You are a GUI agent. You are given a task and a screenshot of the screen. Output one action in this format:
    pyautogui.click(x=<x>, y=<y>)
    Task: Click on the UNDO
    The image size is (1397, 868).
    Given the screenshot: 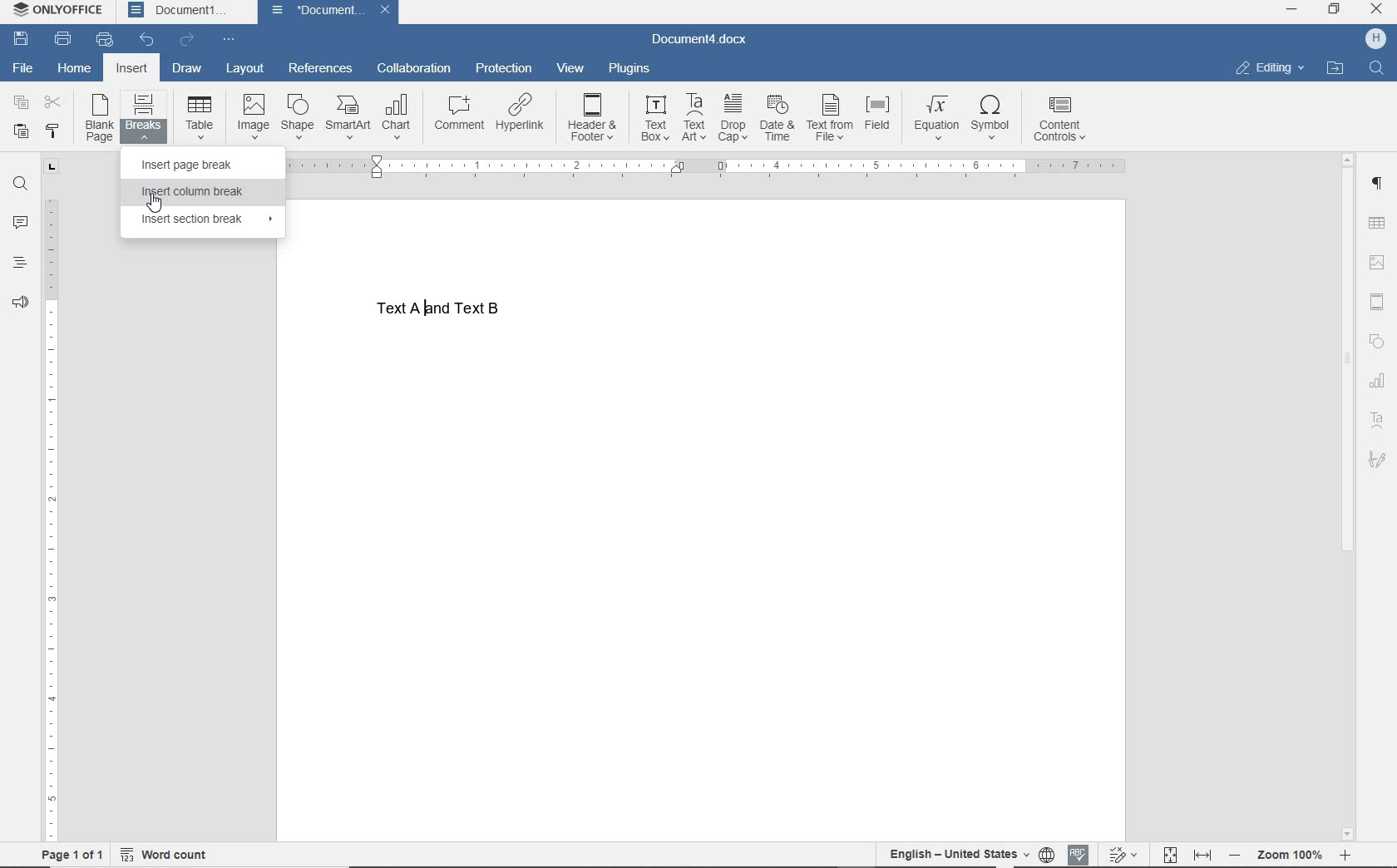 What is the action you would take?
    pyautogui.click(x=148, y=40)
    